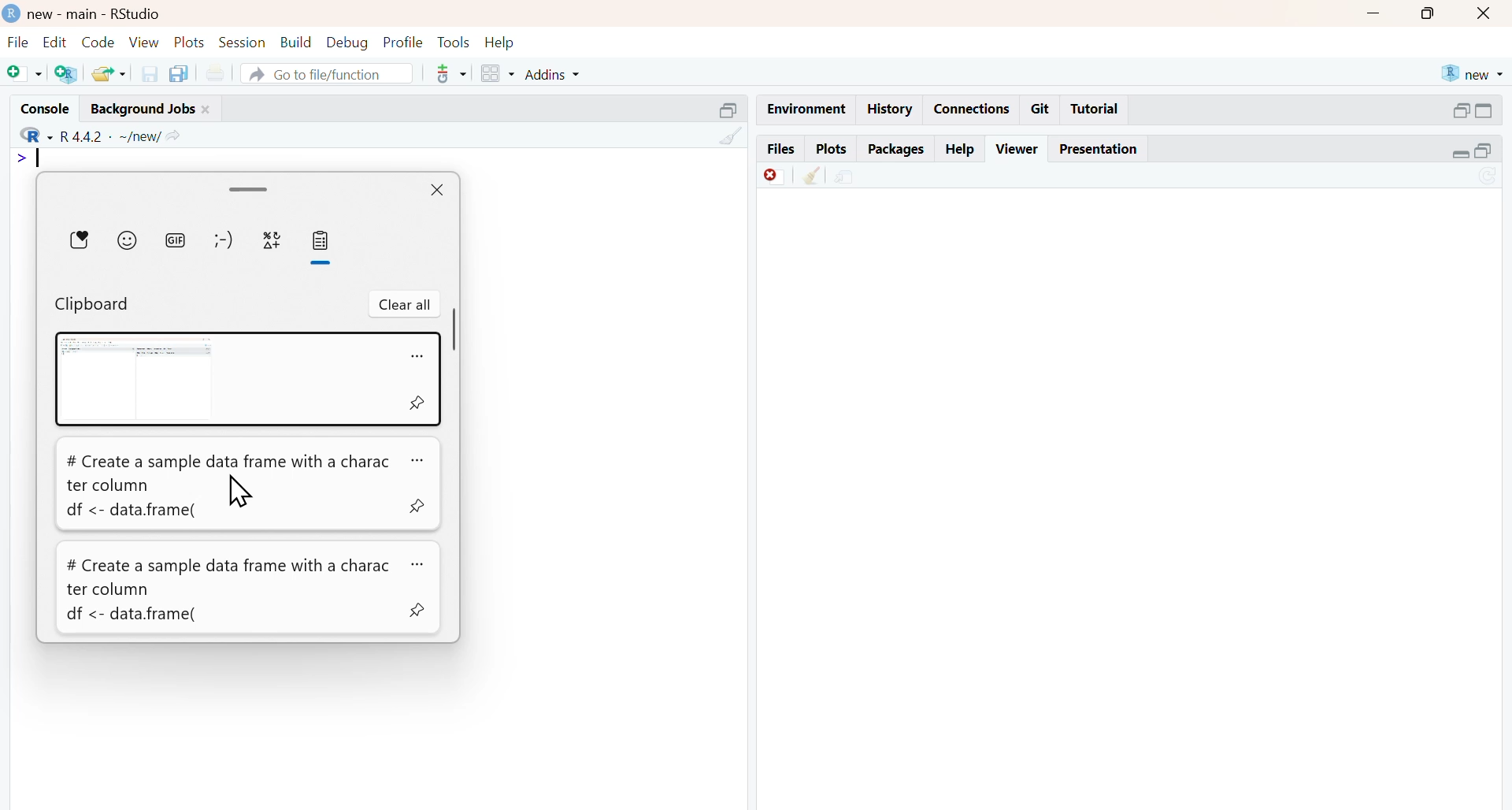 The image size is (1512, 810). What do you see at coordinates (812, 175) in the screenshot?
I see `Clean ` at bounding box center [812, 175].